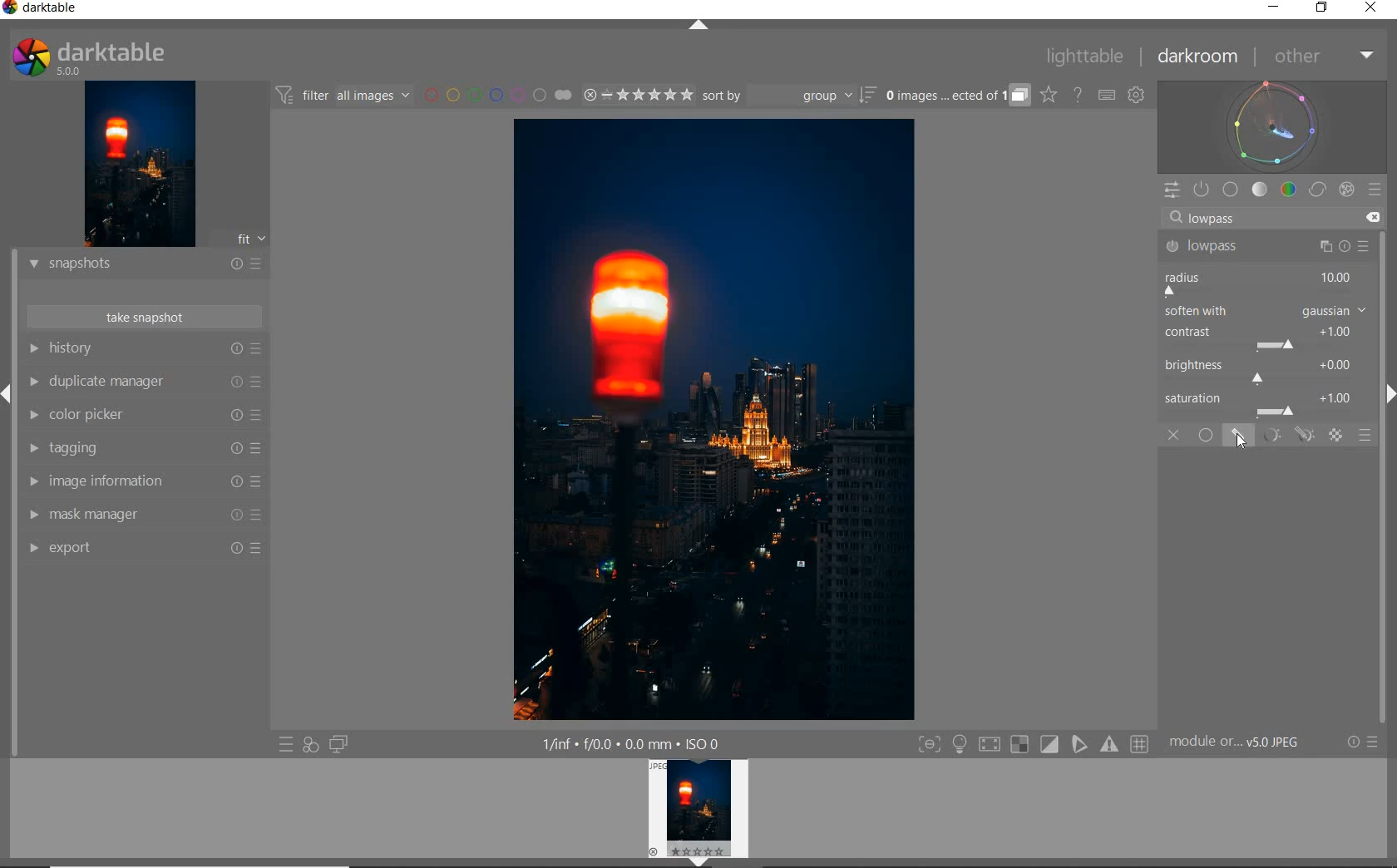  What do you see at coordinates (1369, 742) in the screenshot?
I see `RESET OR PRESETS & PREFERENCES` at bounding box center [1369, 742].